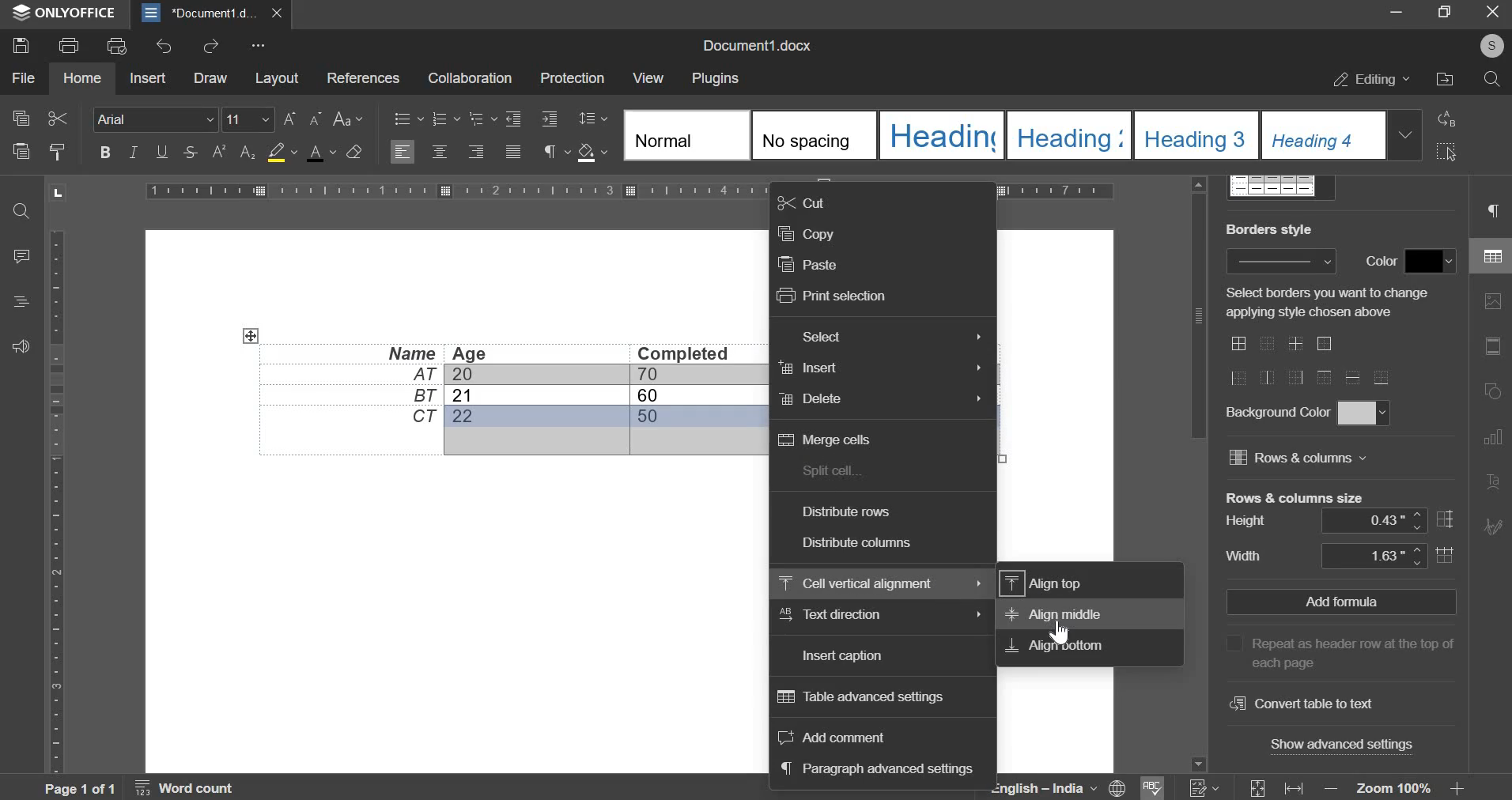  I want to click on style selection, so click(1023, 135).